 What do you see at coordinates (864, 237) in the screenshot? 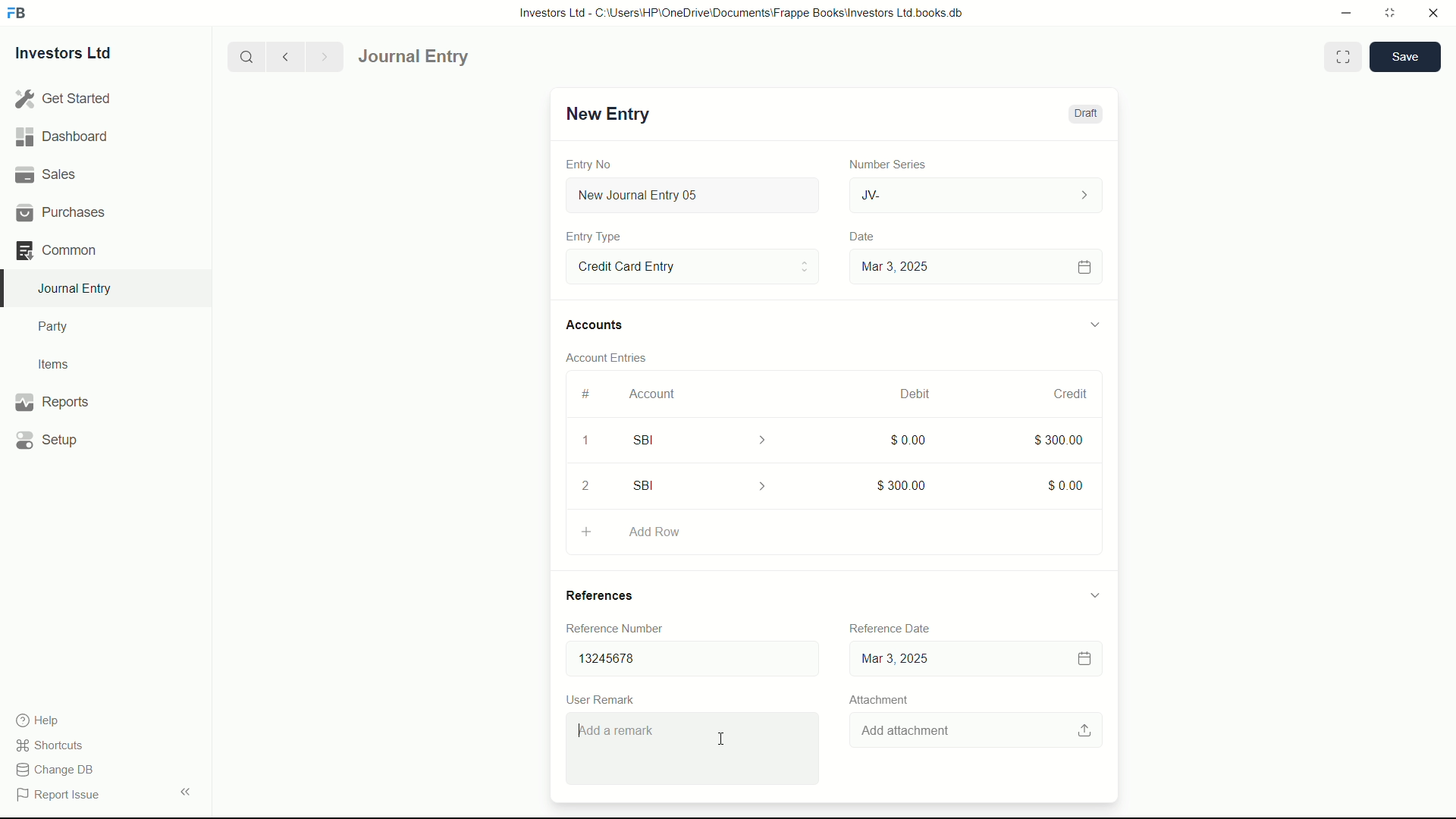
I see `Date` at bounding box center [864, 237].